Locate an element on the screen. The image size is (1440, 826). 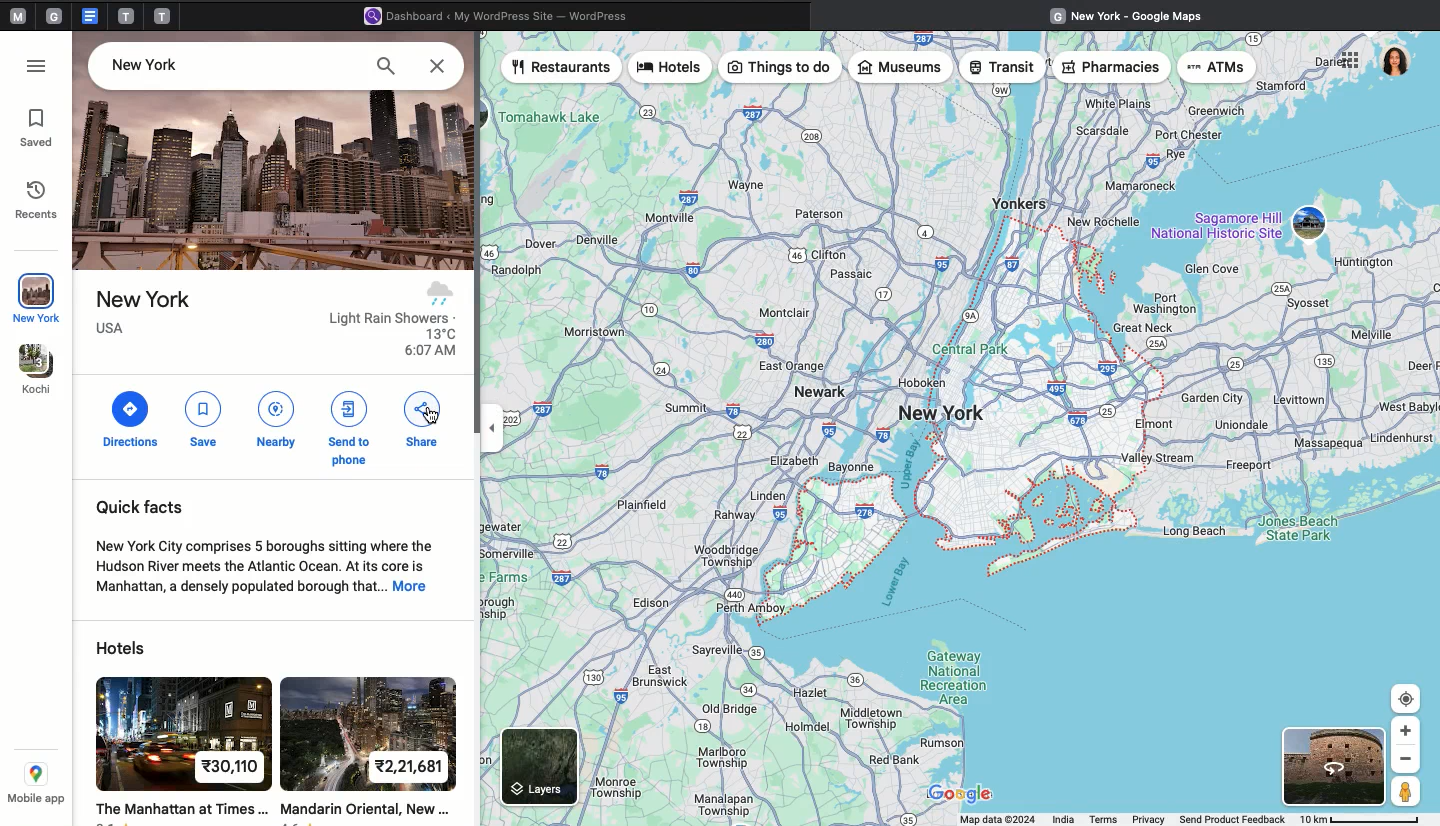
tab is located at coordinates (57, 16).